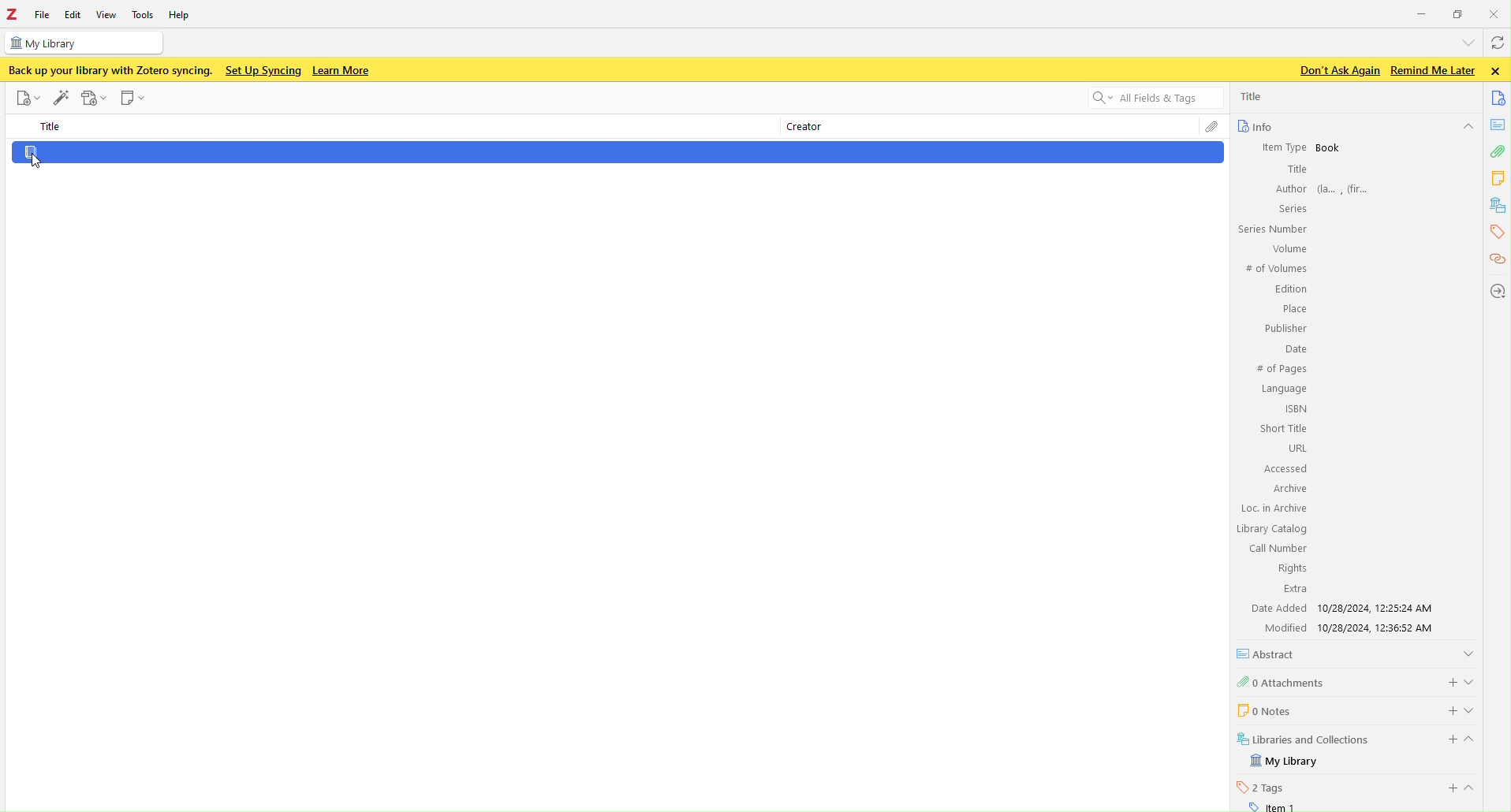 The image size is (1511, 812). What do you see at coordinates (143, 16) in the screenshot?
I see `tools` at bounding box center [143, 16].